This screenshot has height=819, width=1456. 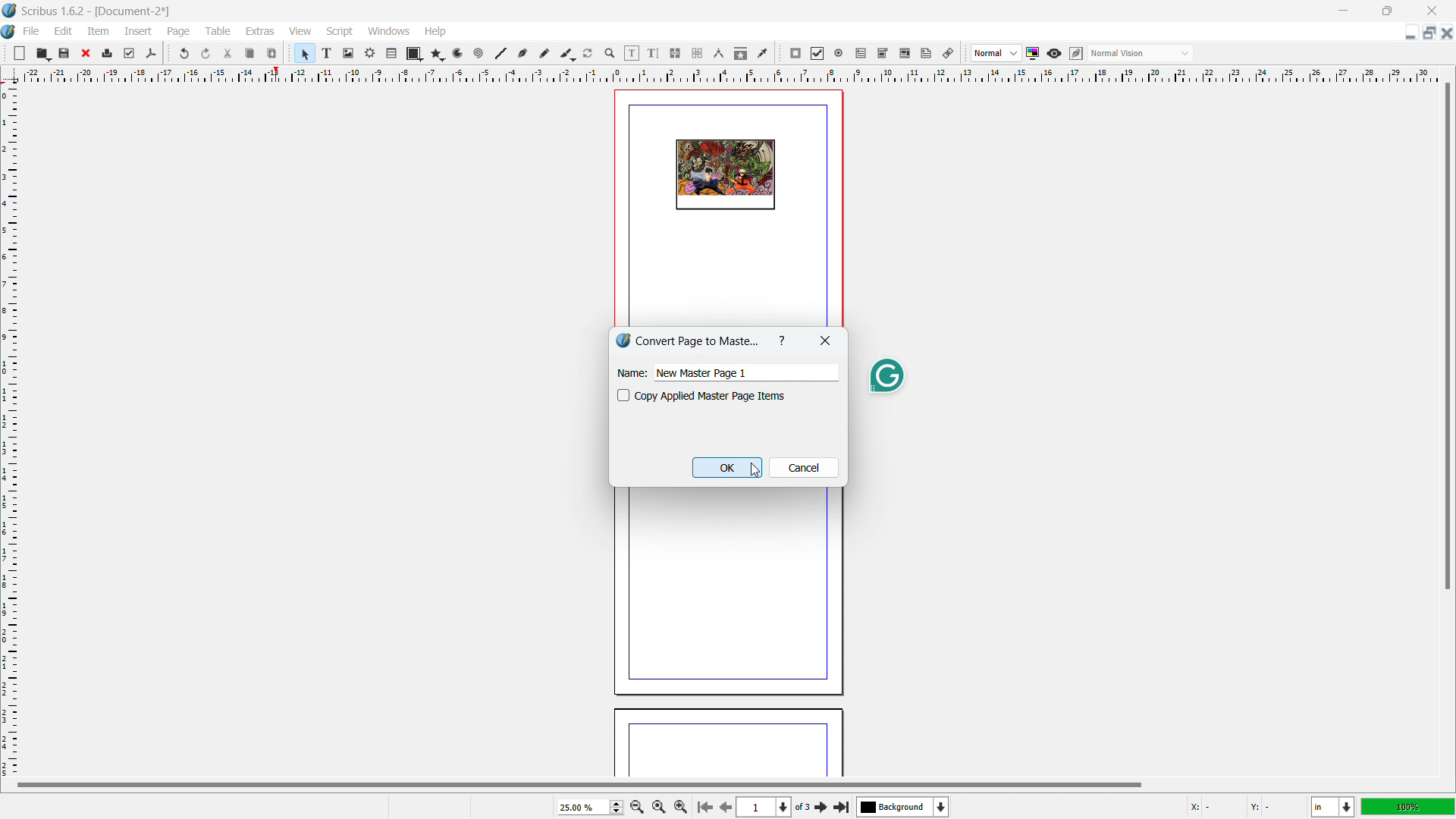 I want to click on maximize window, so click(x=1385, y=11).